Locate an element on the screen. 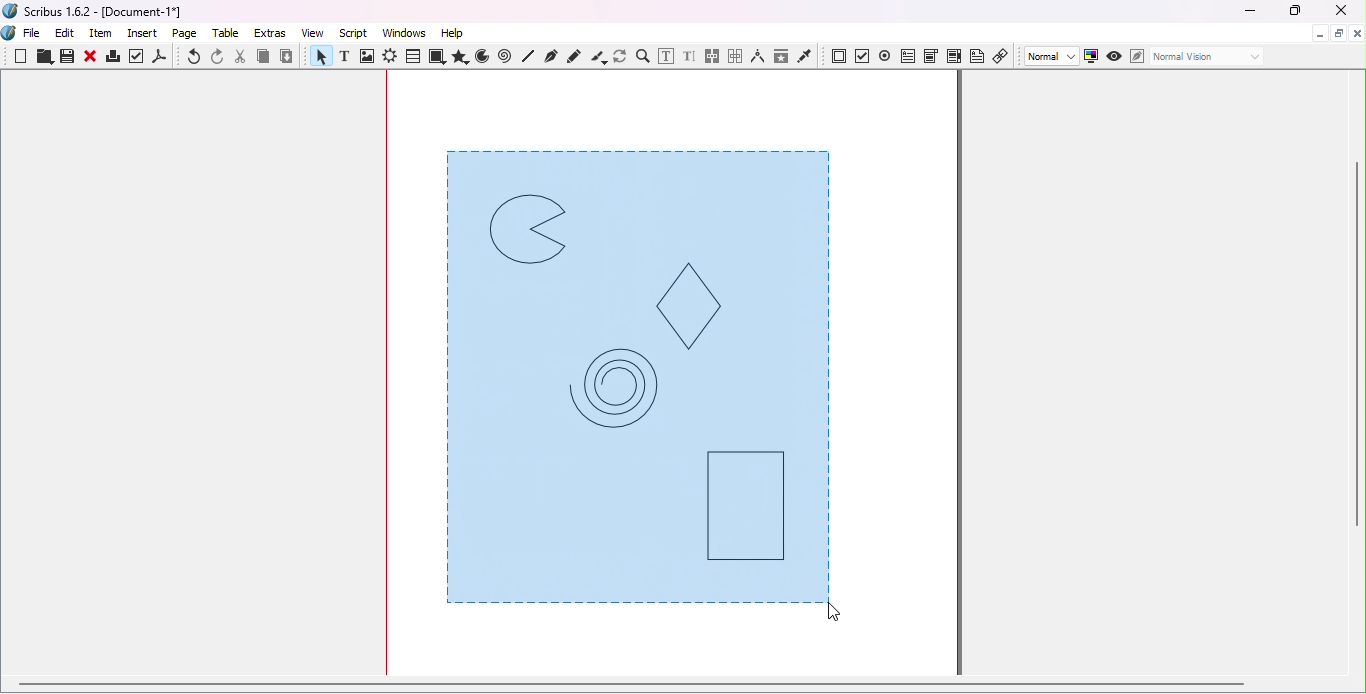  Arc is located at coordinates (482, 58).